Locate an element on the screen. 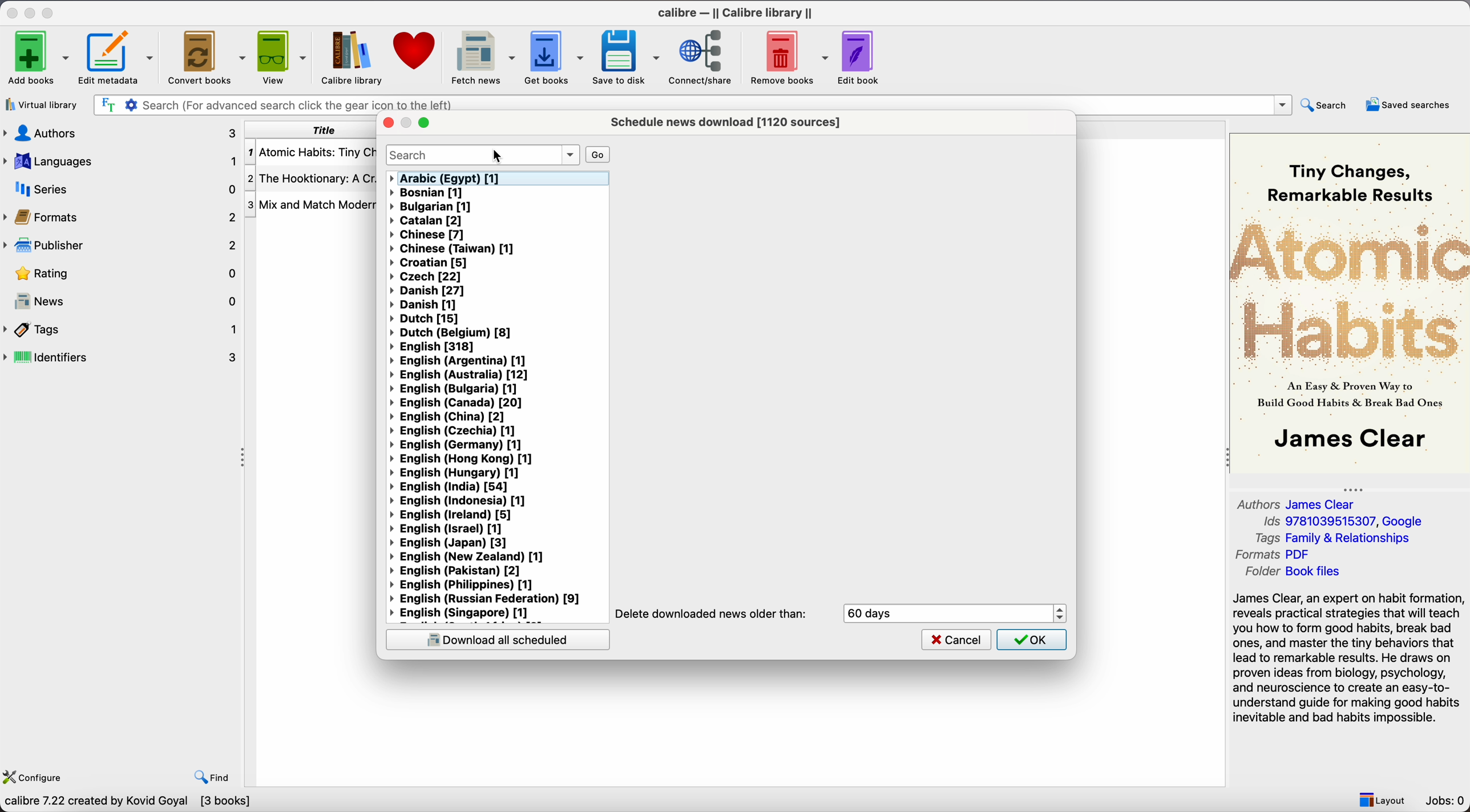 The image size is (1470, 812). English (Philippines) [1] is located at coordinates (470, 585).